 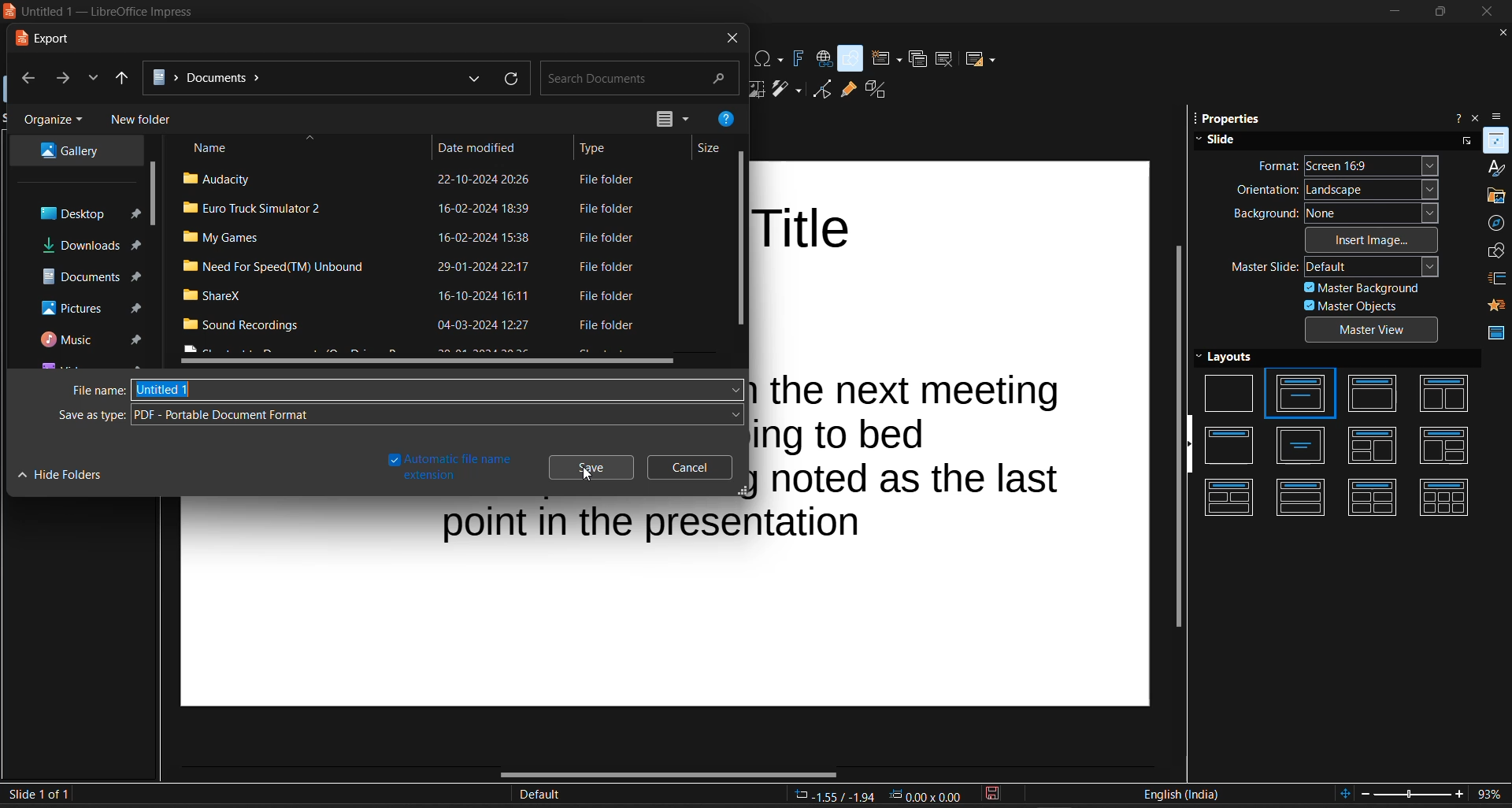 What do you see at coordinates (24, 80) in the screenshot?
I see `back` at bounding box center [24, 80].